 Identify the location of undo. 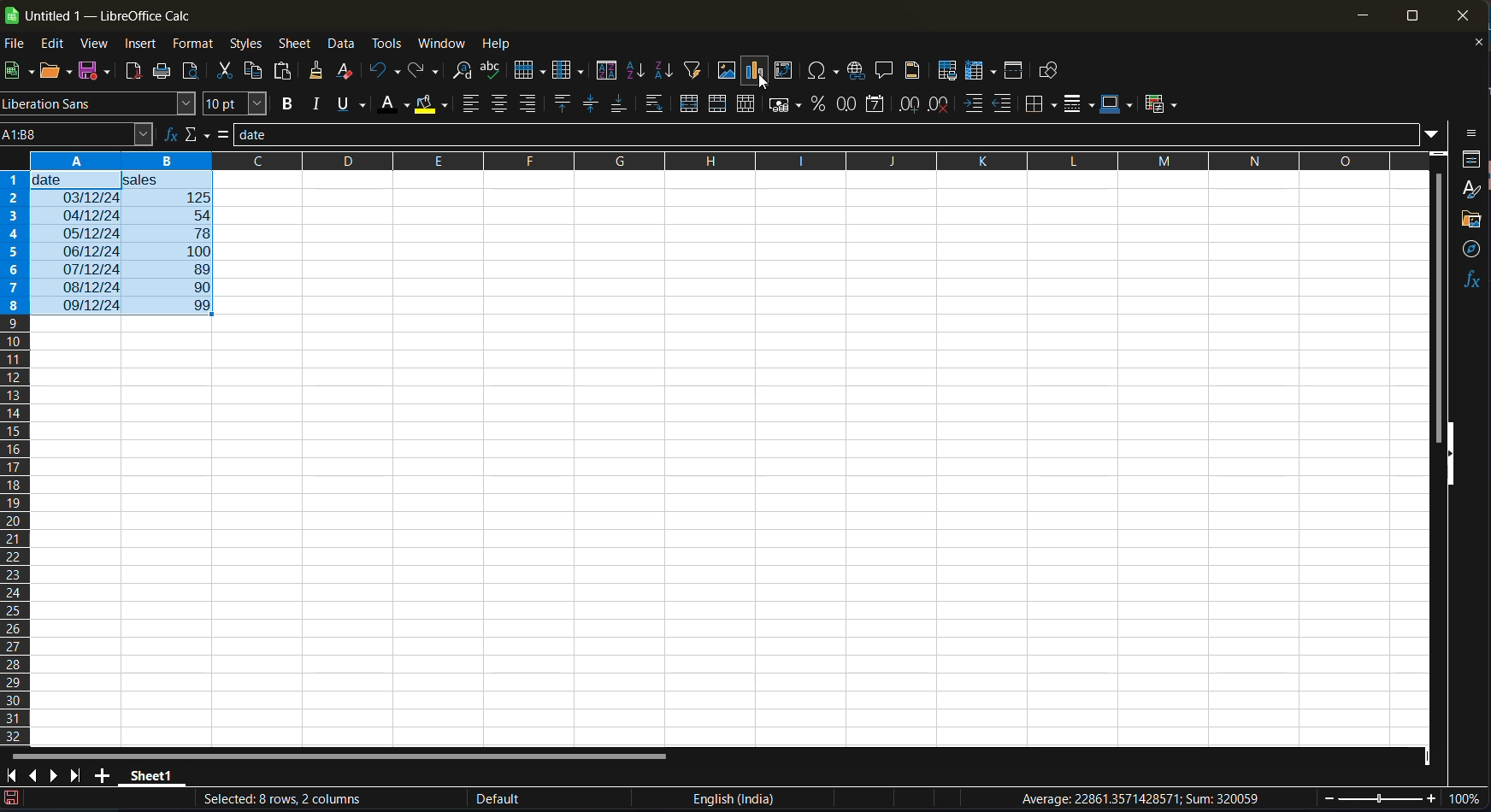
(386, 72).